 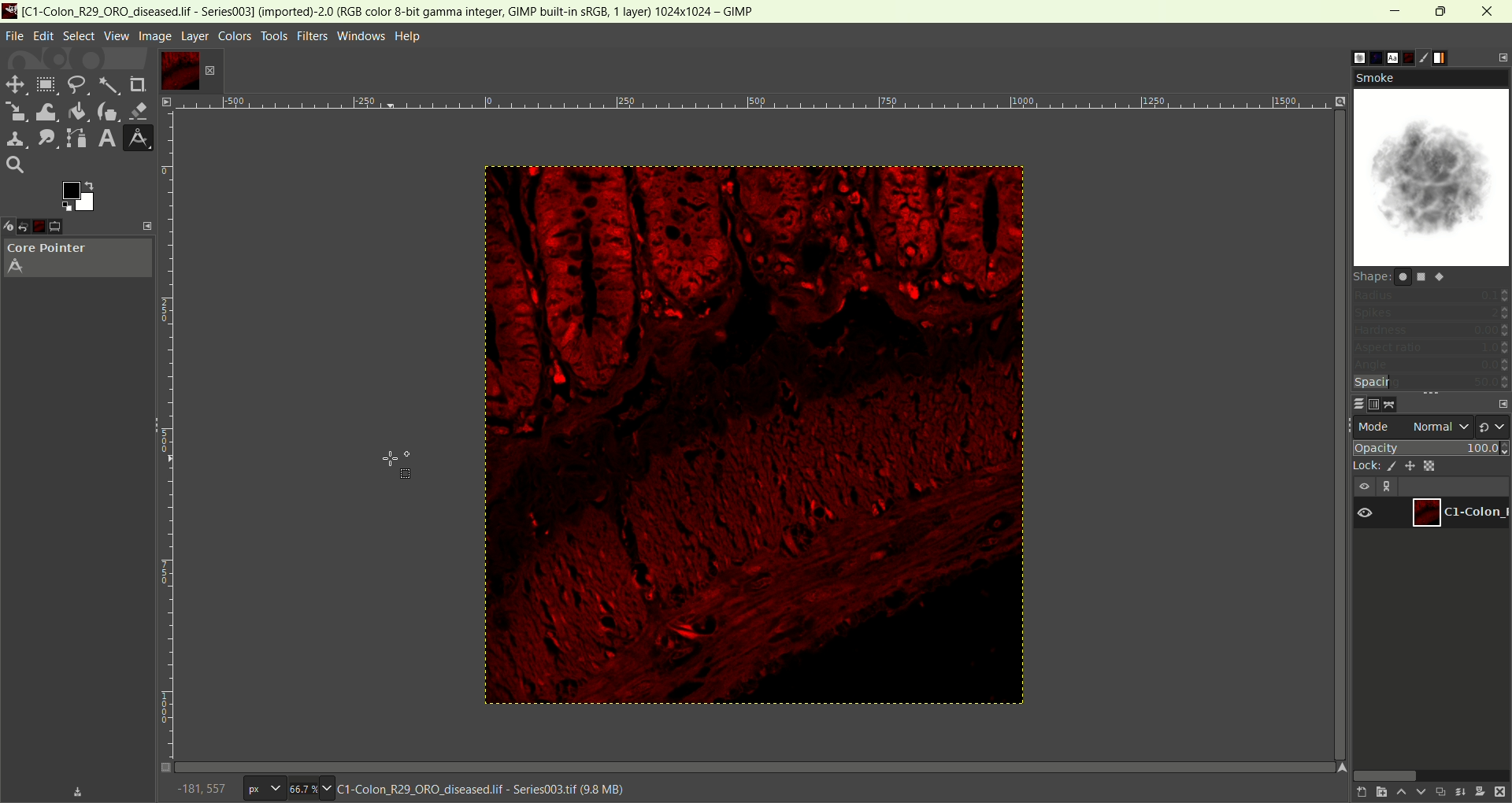 What do you see at coordinates (76, 86) in the screenshot?
I see `free select tool` at bounding box center [76, 86].